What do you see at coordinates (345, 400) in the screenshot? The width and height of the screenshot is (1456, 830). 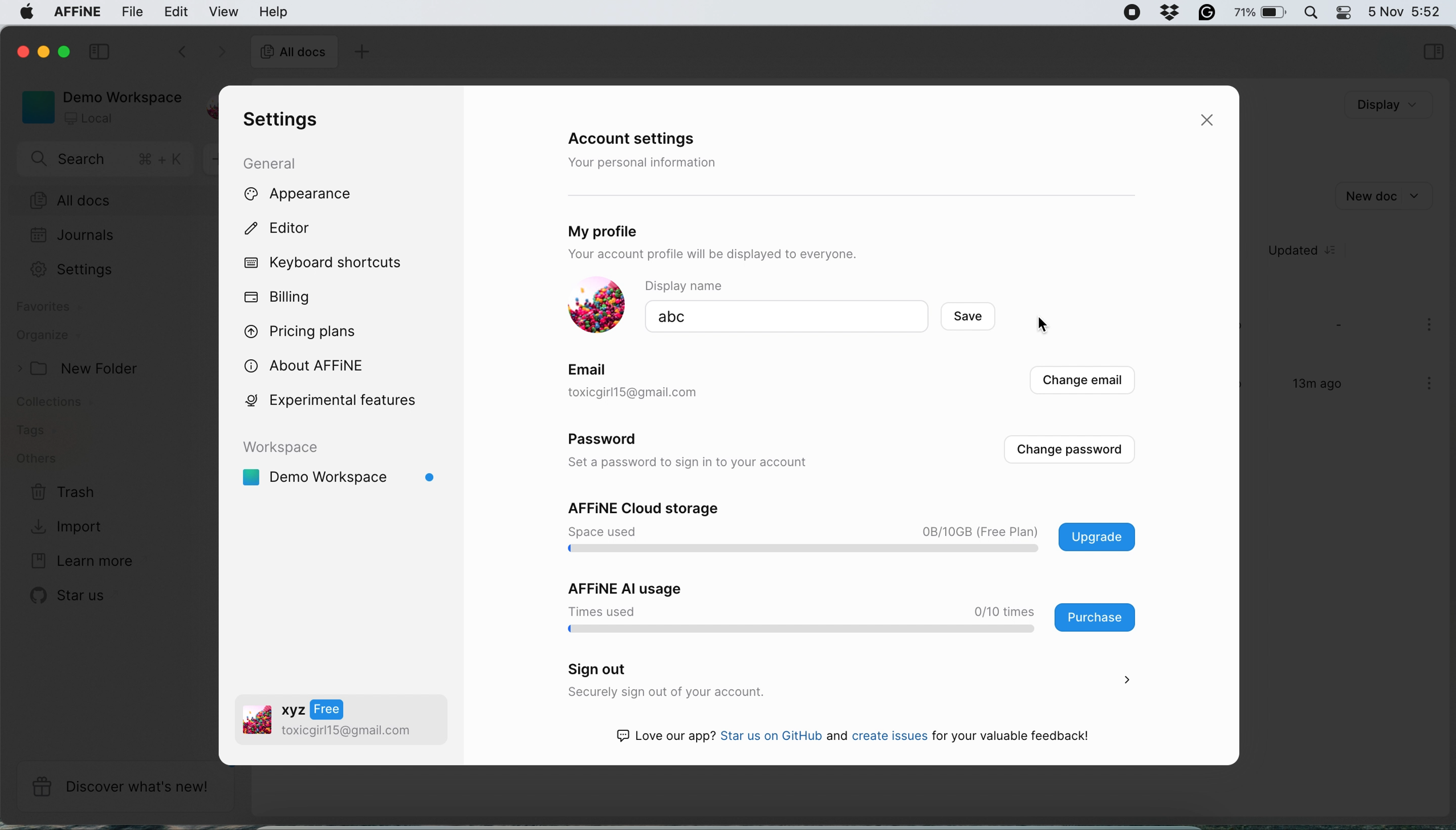 I see `experimental features` at bounding box center [345, 400].